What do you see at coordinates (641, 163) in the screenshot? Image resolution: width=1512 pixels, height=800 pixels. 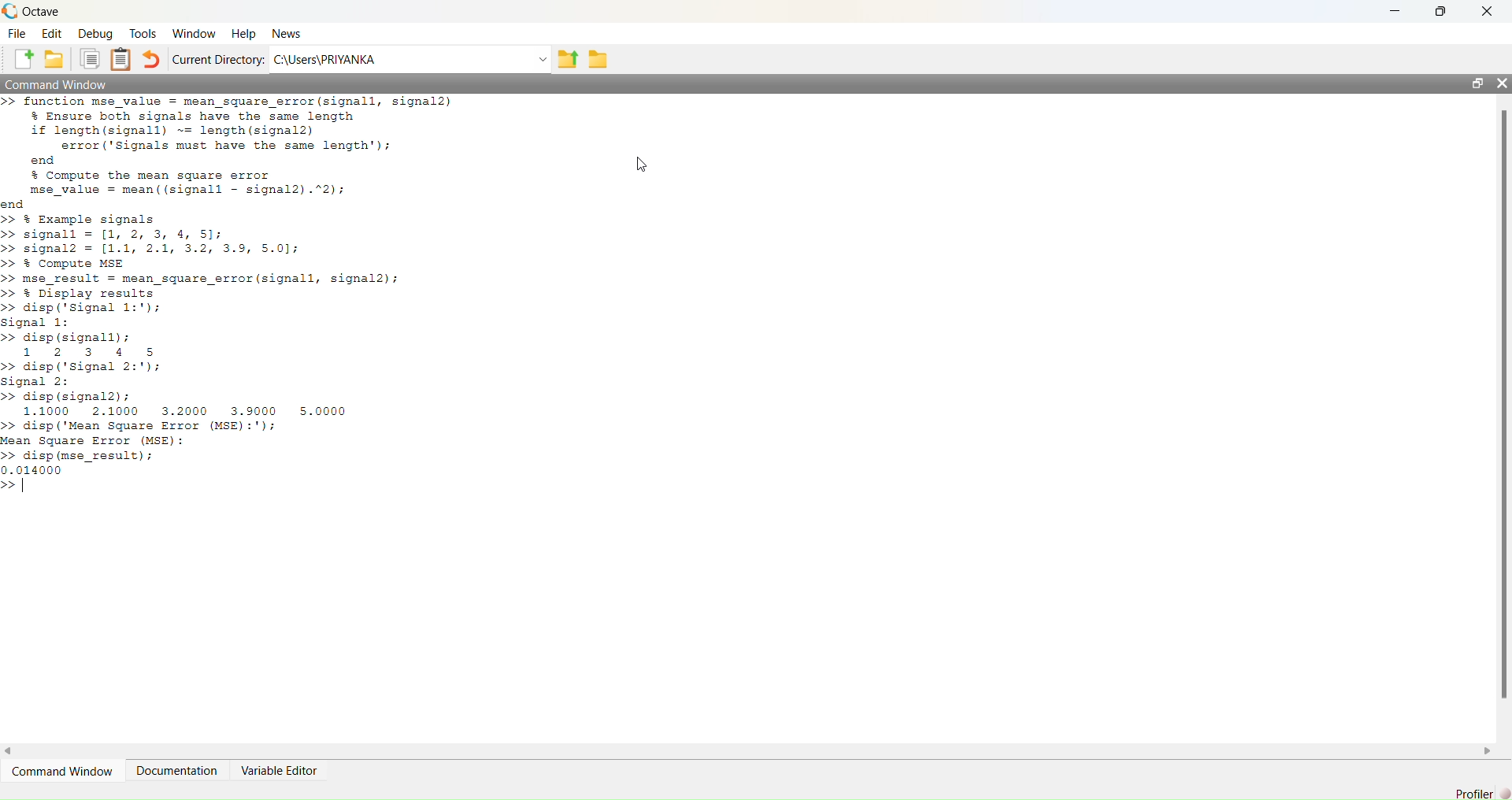 I see `cursor` at bounding box center [641, 163].